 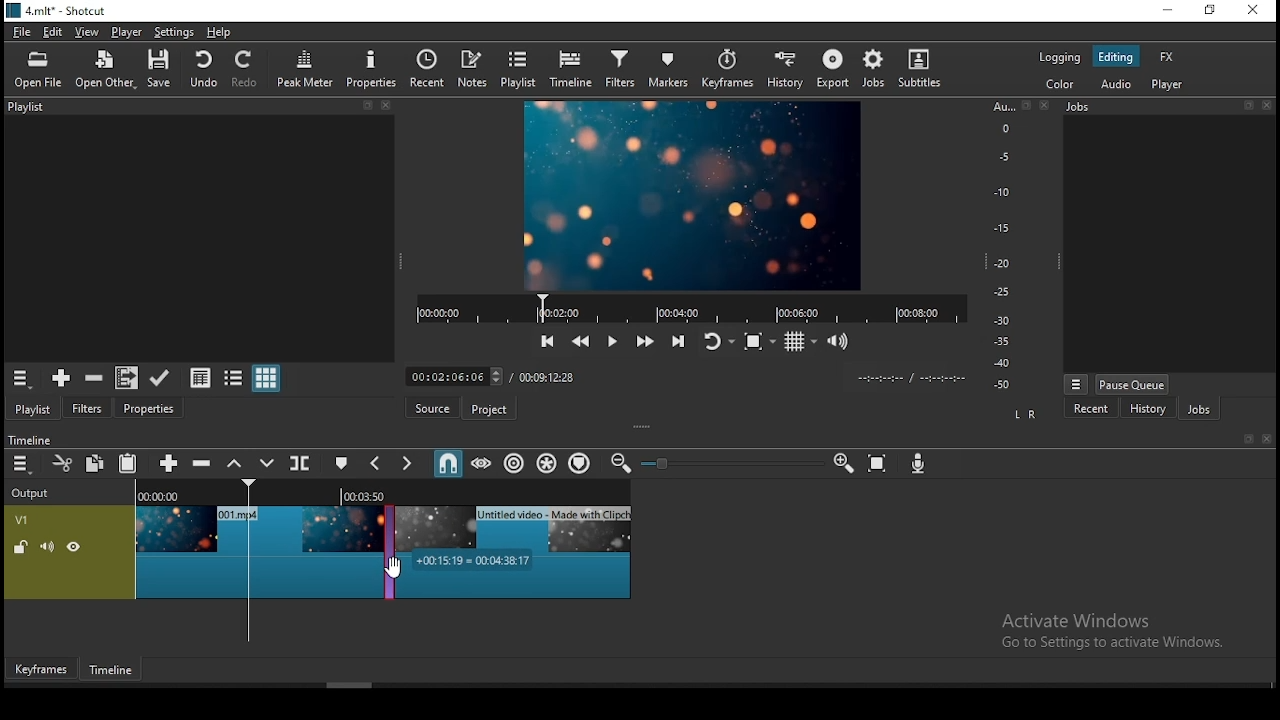 I want to click on timeline settings, so click(x=20, y=465).